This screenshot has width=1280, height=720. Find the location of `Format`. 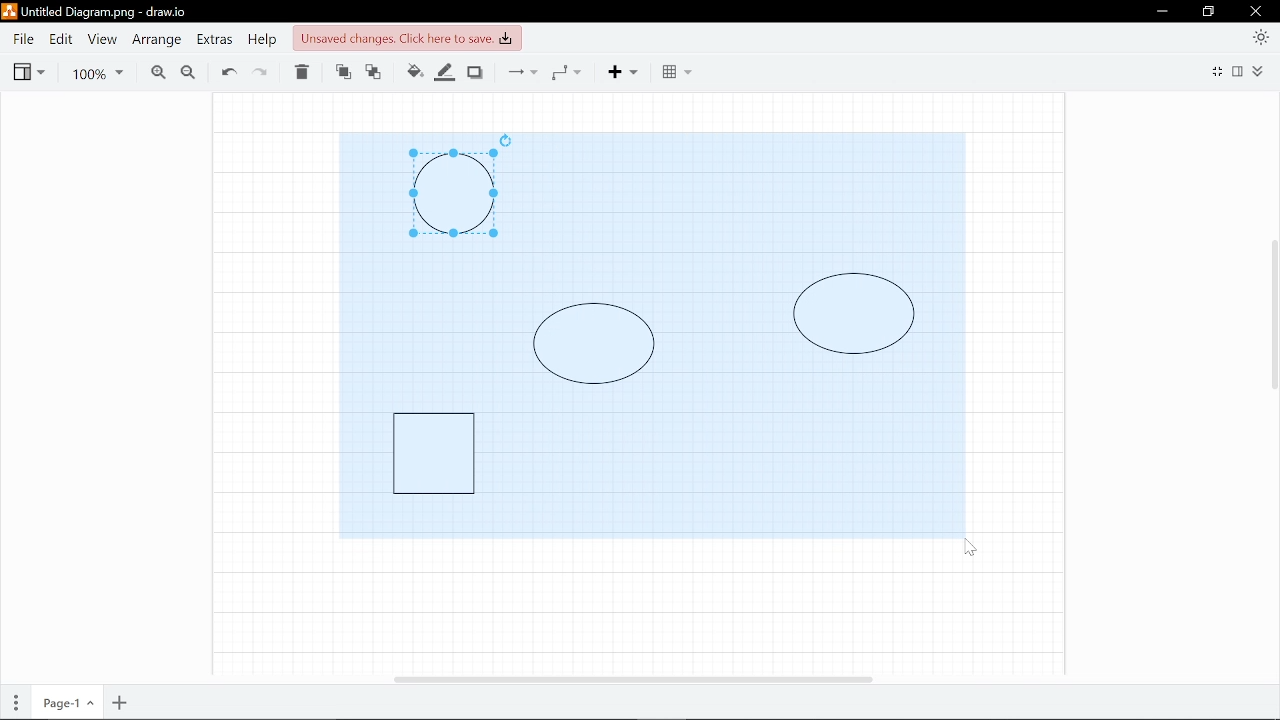

Format is located at coordinates (1240, 71).